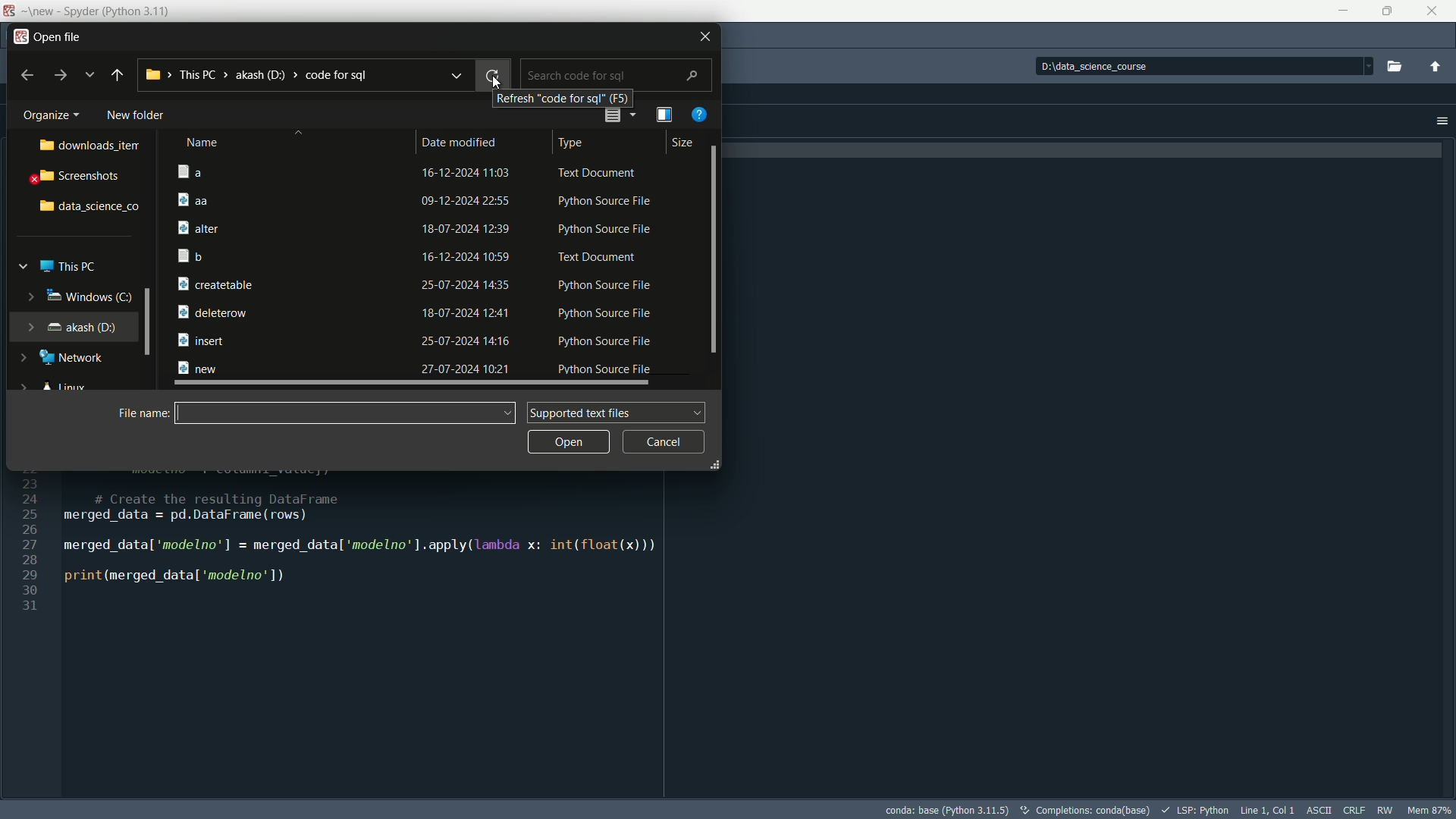 The width and height of the screenshot is (1456, 819). I want to click on network, so click(77, 358).